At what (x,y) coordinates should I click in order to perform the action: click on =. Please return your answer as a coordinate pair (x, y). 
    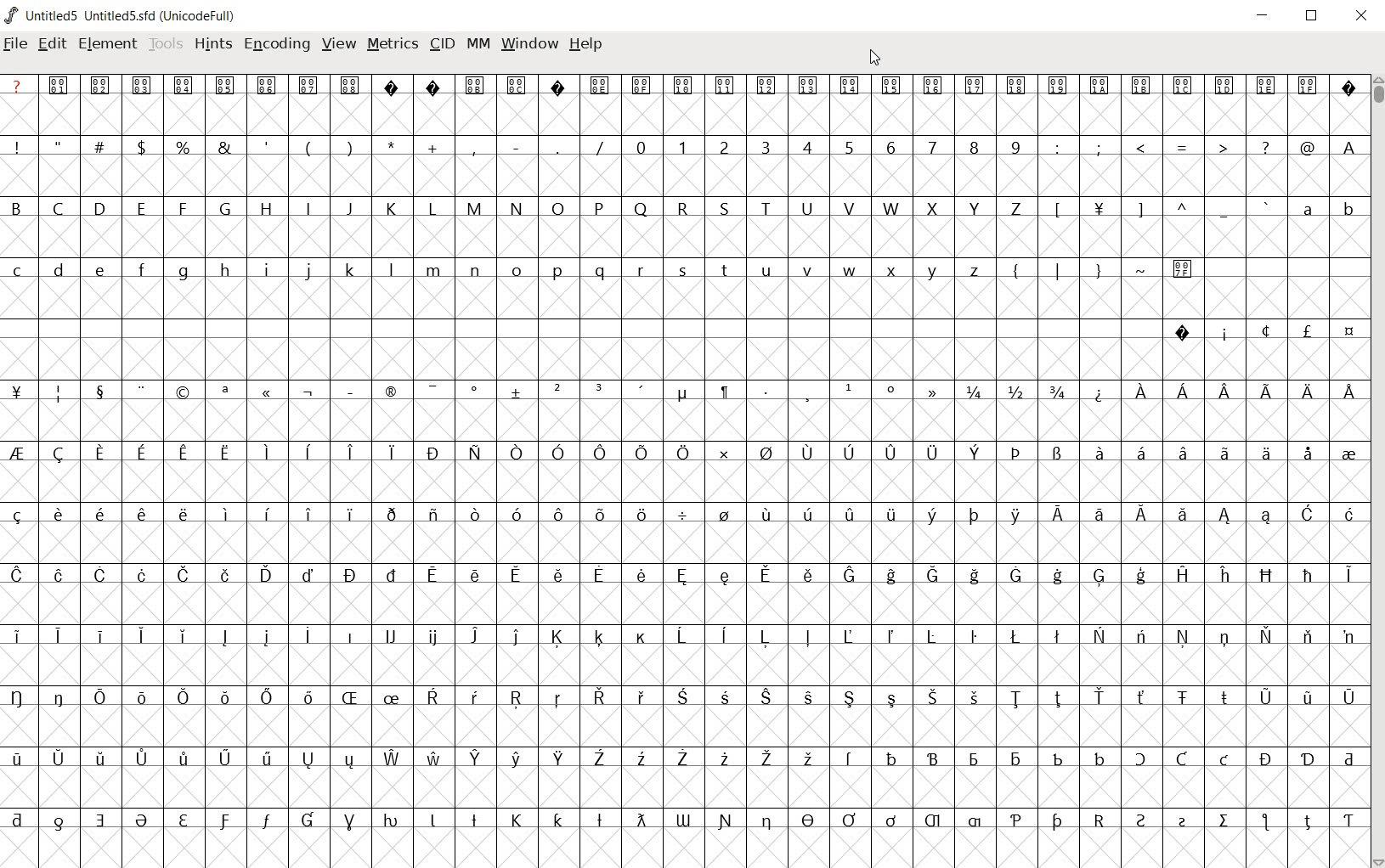
    Looking at the image, I should click on (1183, 147).